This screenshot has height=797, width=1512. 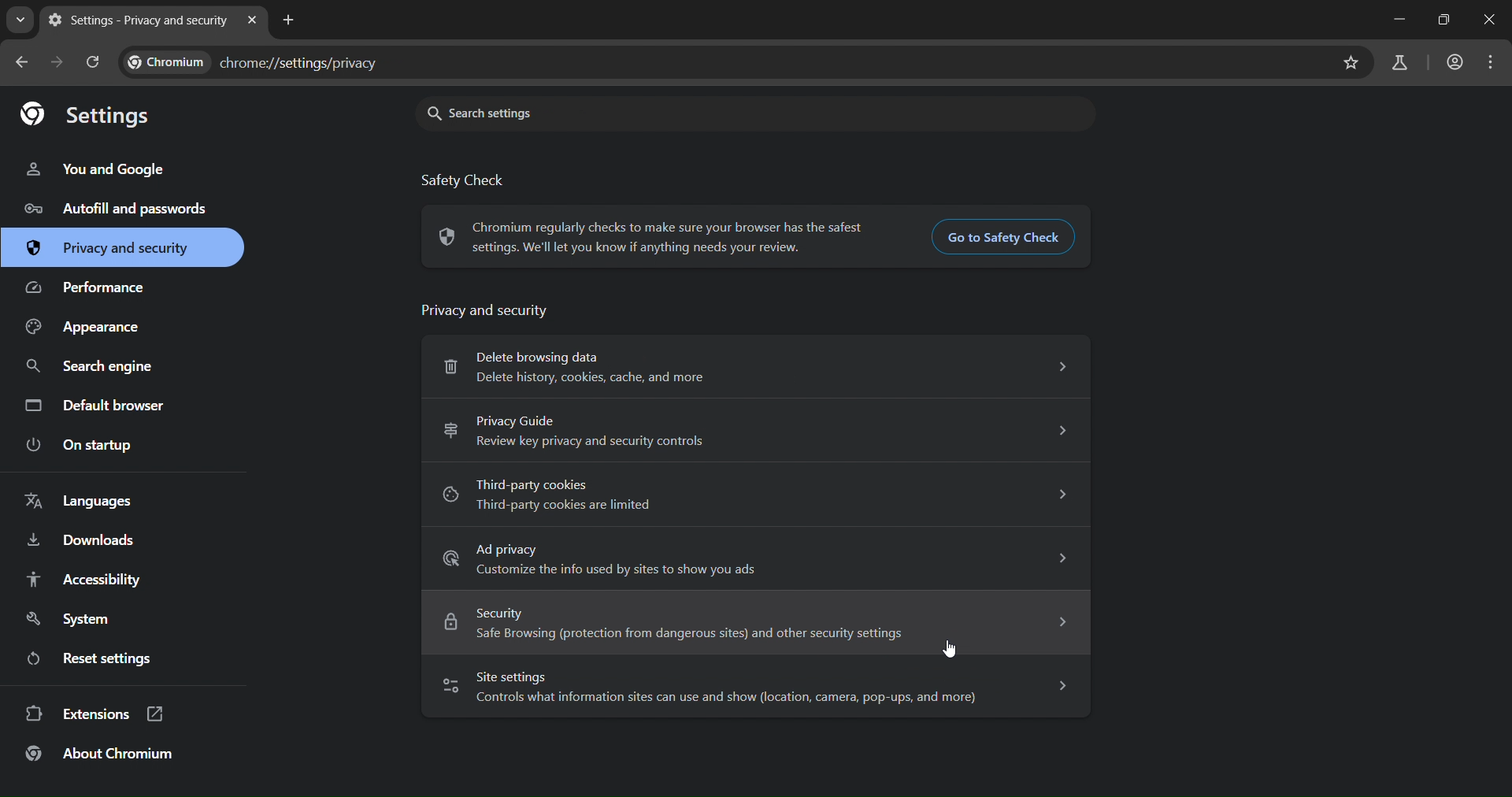 What do you see at coordinates (109, 758) in the screenshot?
I see `about chromium` at bounding box center [109, 758].